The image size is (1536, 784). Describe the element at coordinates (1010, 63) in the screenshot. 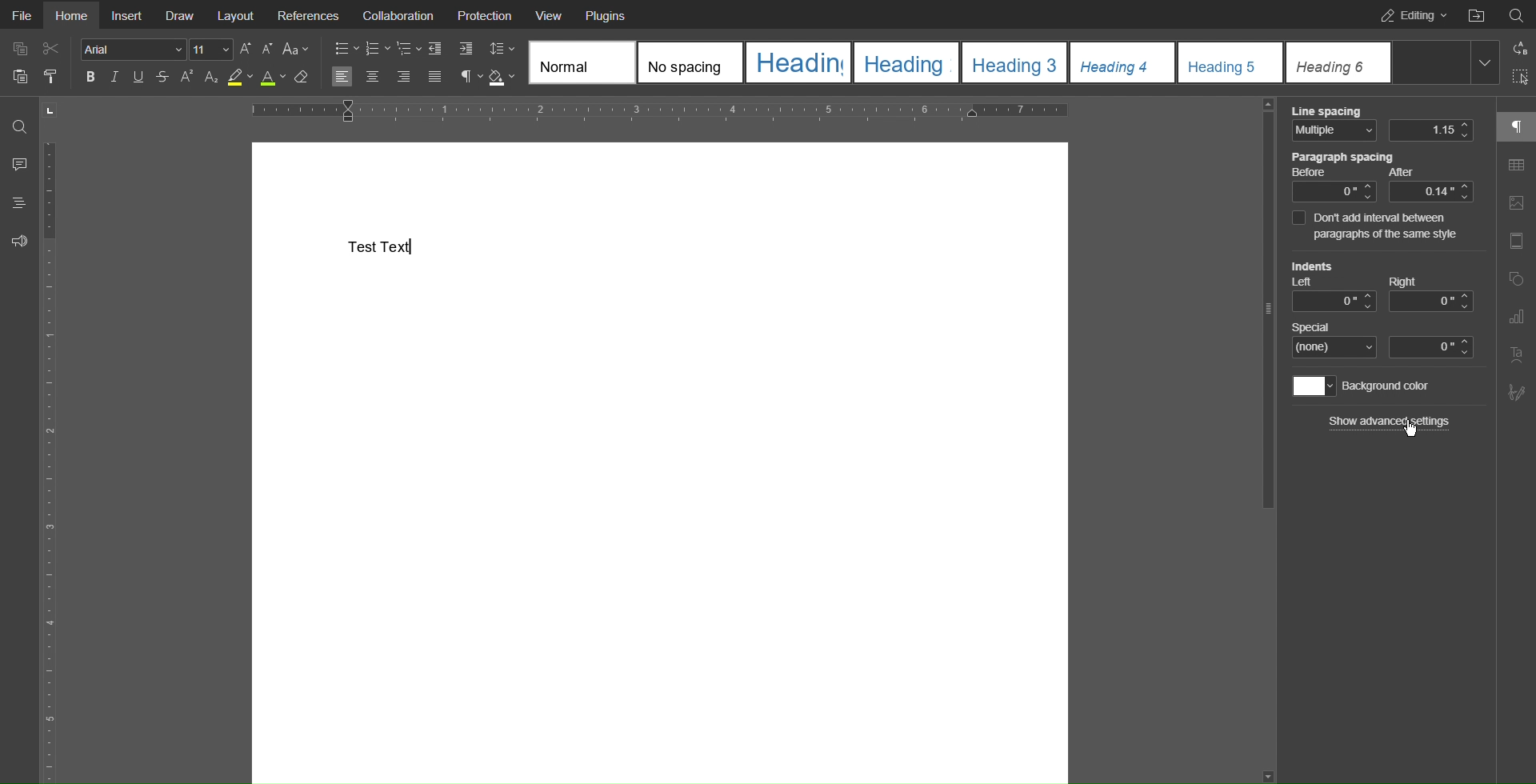

I see `Headings Templates` at that location.